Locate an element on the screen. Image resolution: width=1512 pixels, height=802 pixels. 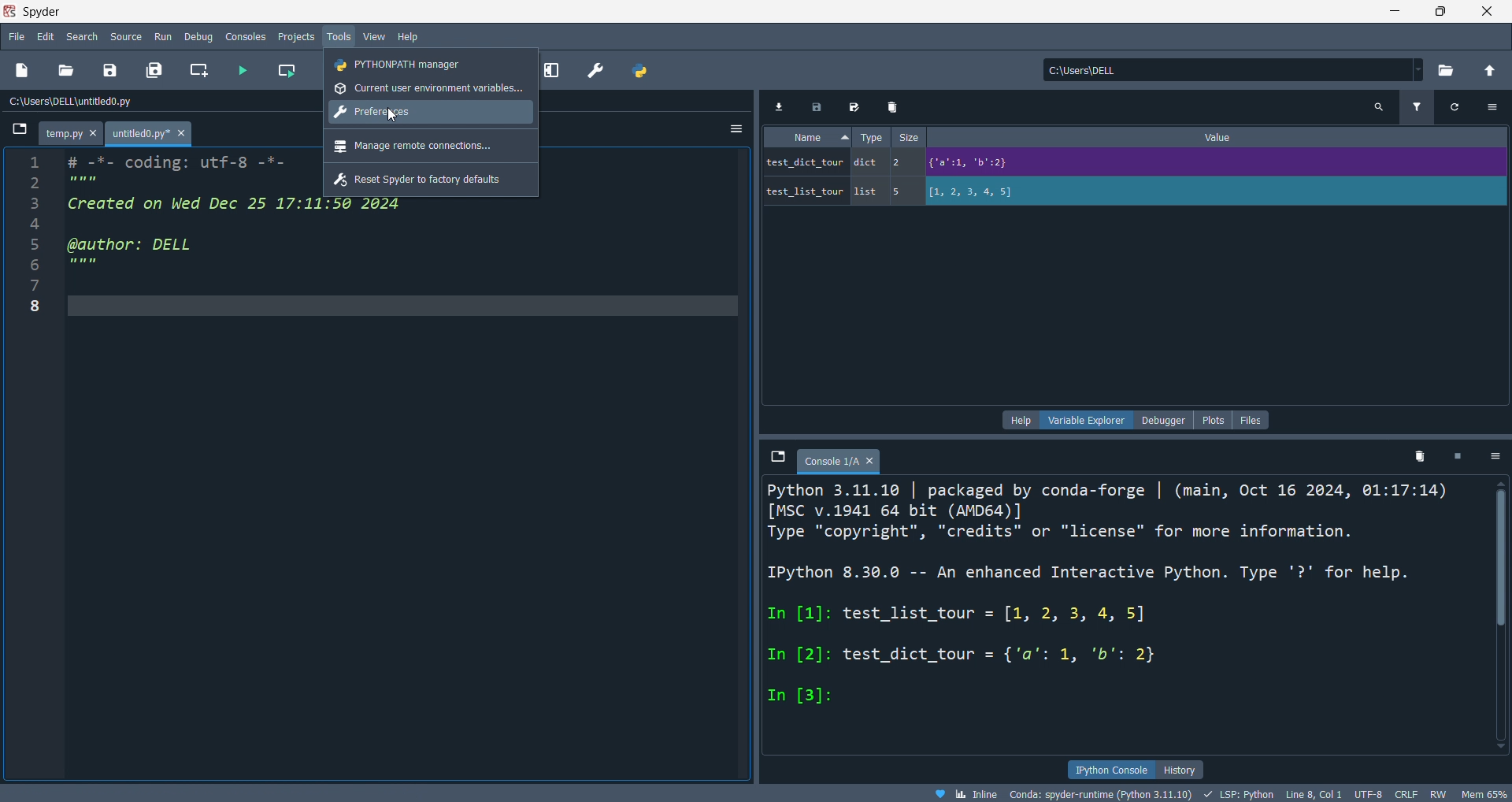
Console 1/A is located at coordinates (843, 461).